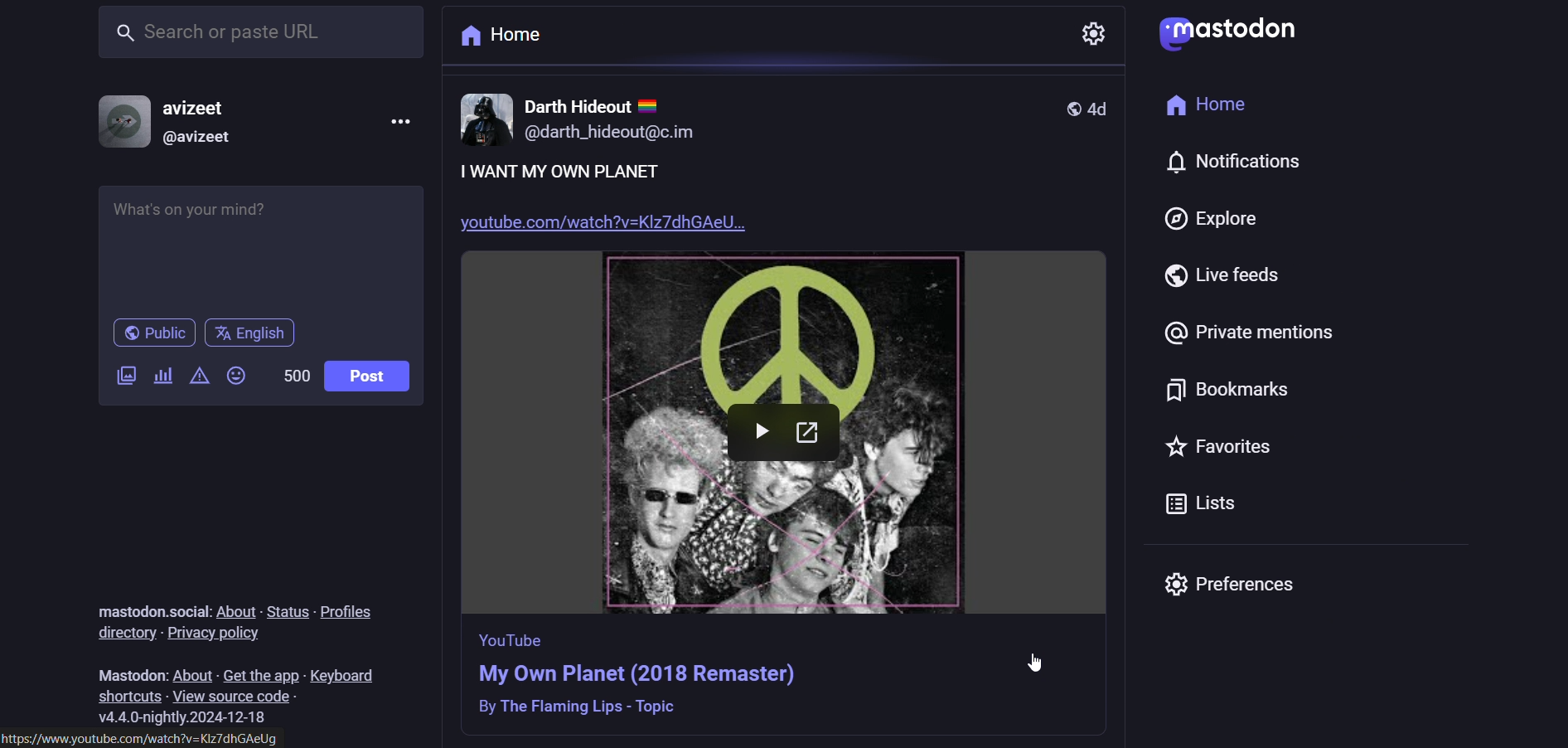 The height and width of the screenshot is (748, 1568). What do you see at coordinates (227, 634) in the screenshot?
I see `privacy pilicy` at bounding box center [227, 634].